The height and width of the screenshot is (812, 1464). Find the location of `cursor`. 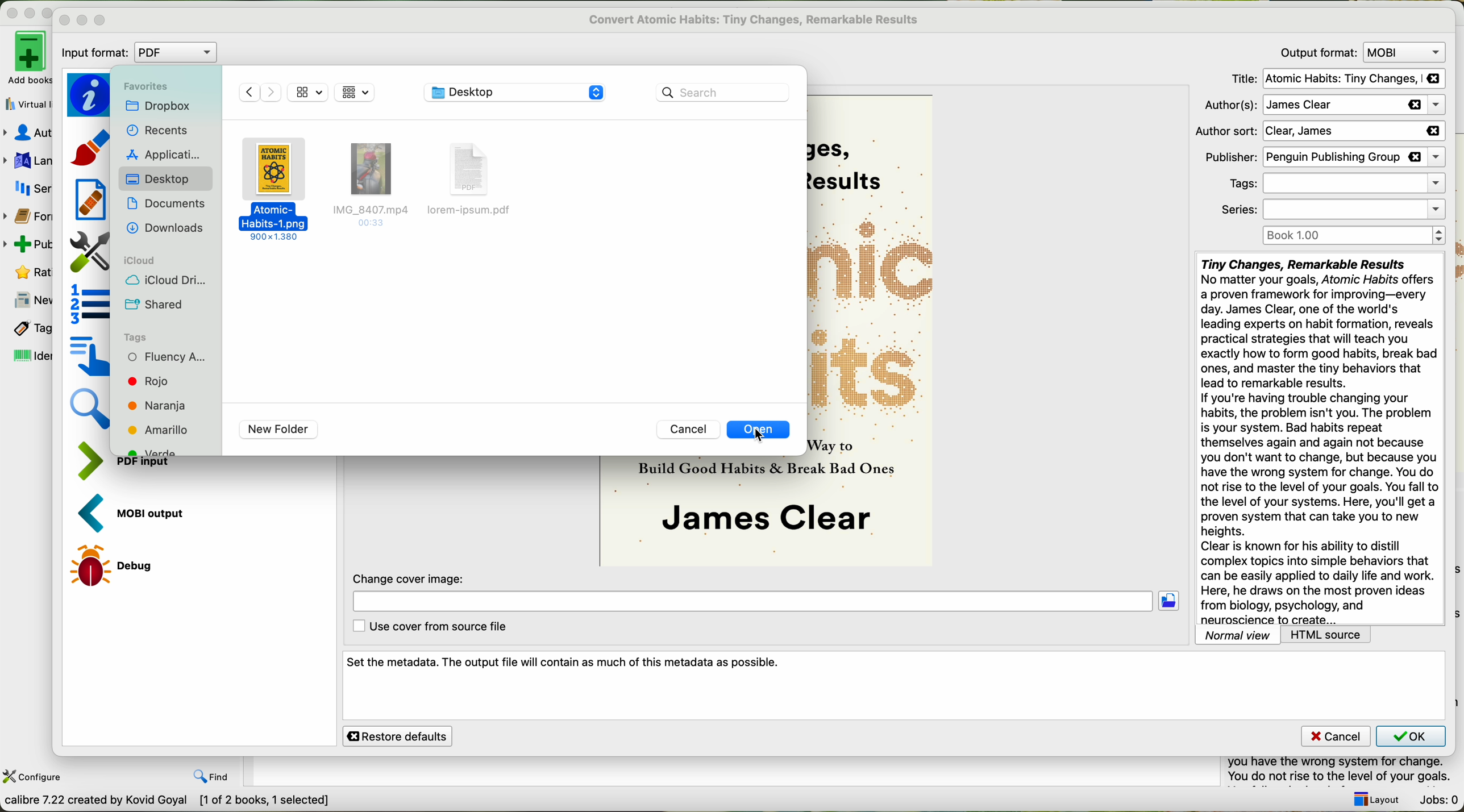

cursor is located at coordinates (764, 436).